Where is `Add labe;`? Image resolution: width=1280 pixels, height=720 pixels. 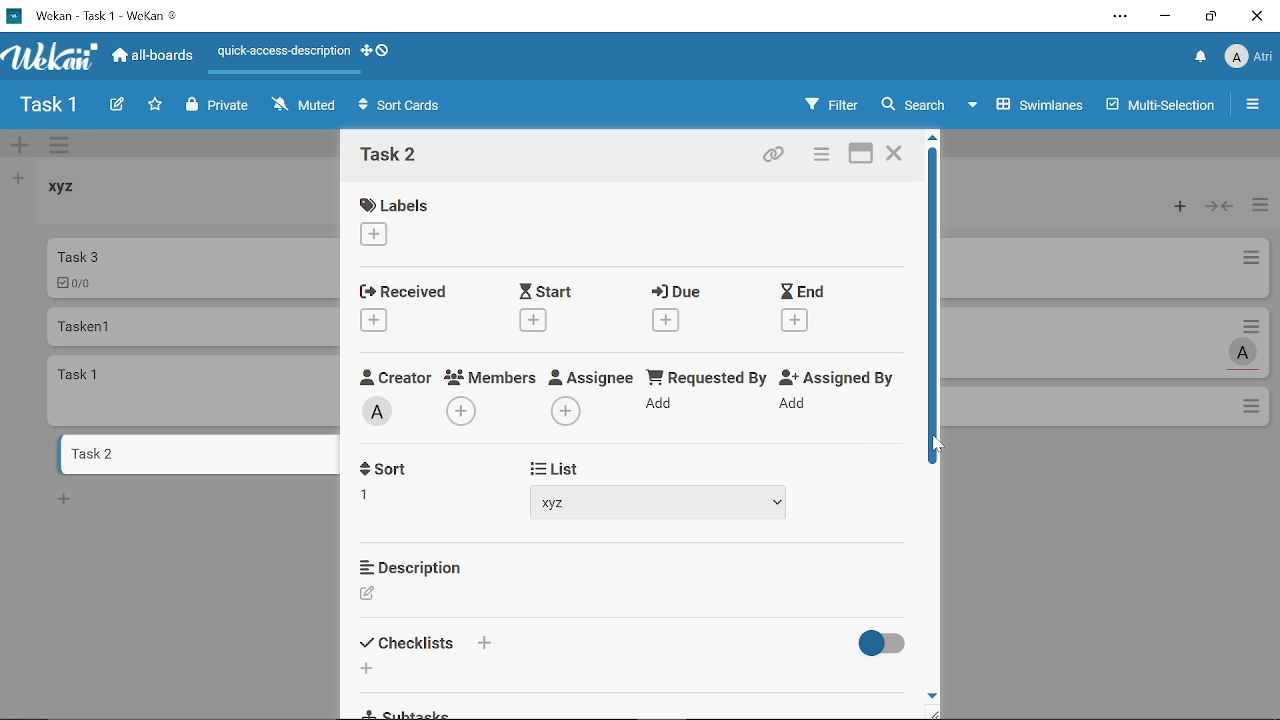 Add labe; is located at coordinates (384, 236).